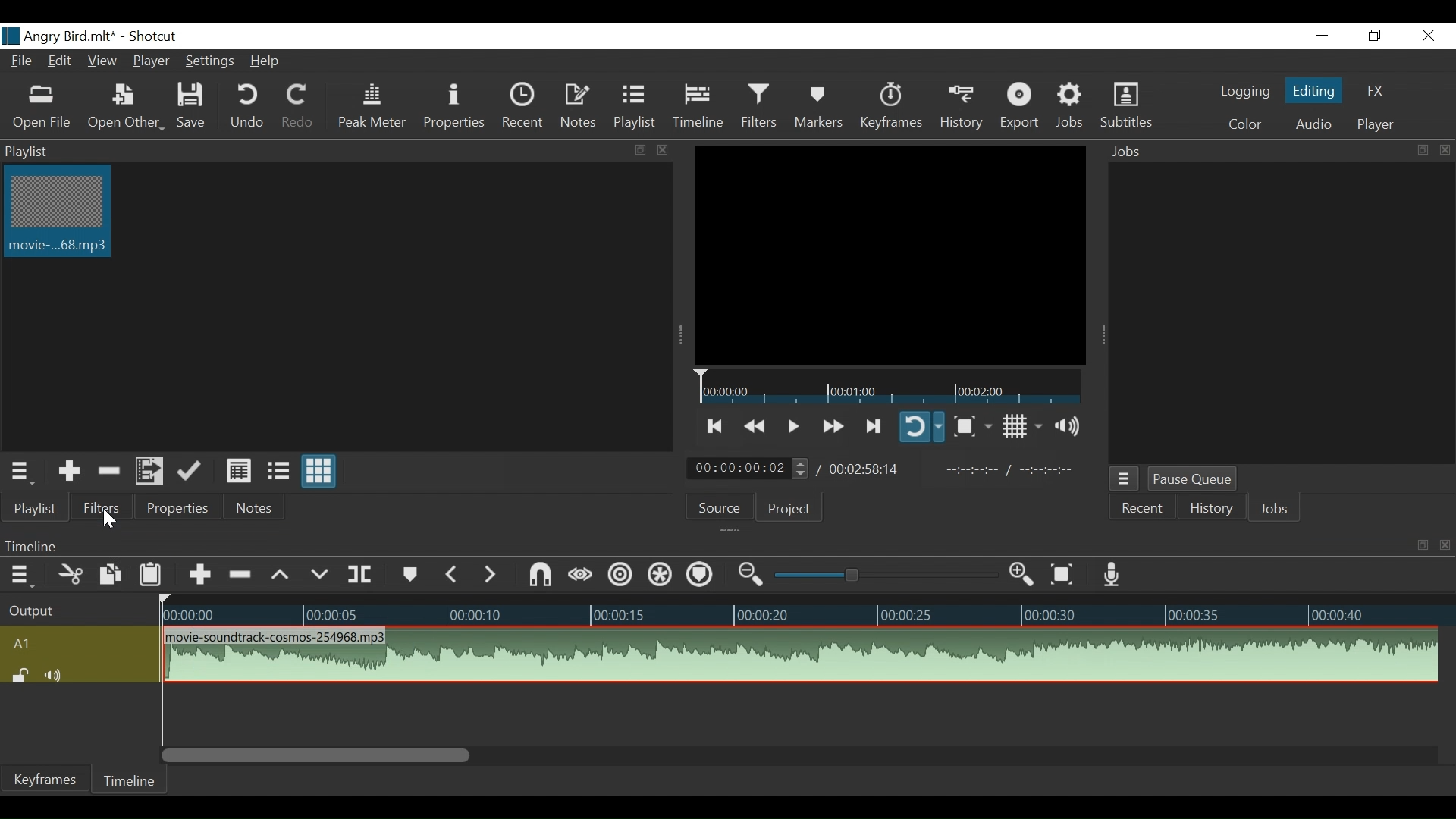  I want to click on Append, so click(199, 573).